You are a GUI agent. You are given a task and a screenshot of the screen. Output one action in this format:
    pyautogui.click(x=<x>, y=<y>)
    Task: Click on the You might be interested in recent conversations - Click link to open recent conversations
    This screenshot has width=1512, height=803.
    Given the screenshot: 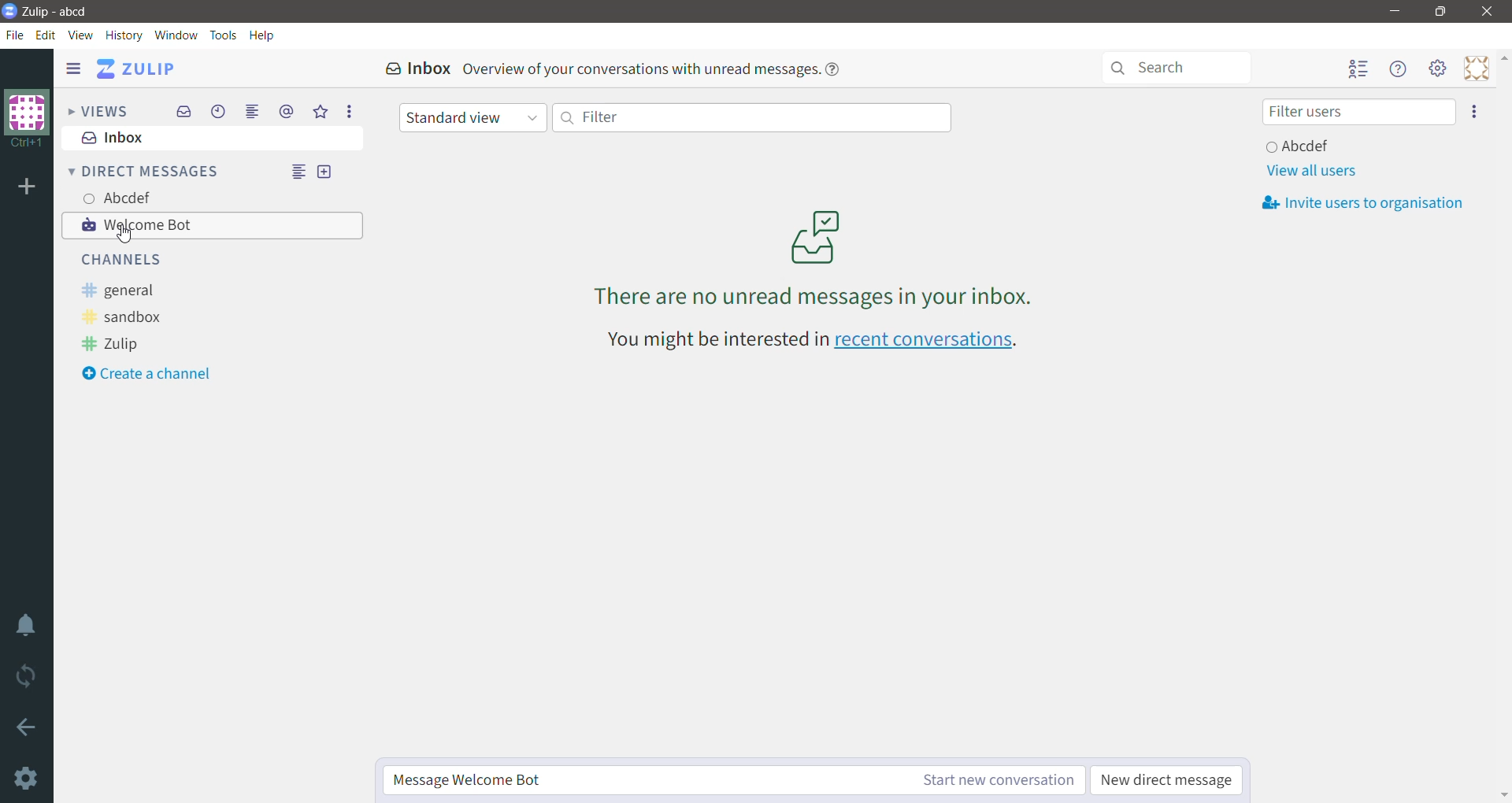 What is the action you would take?
    pyautogui.click(x=811, y=339)
    